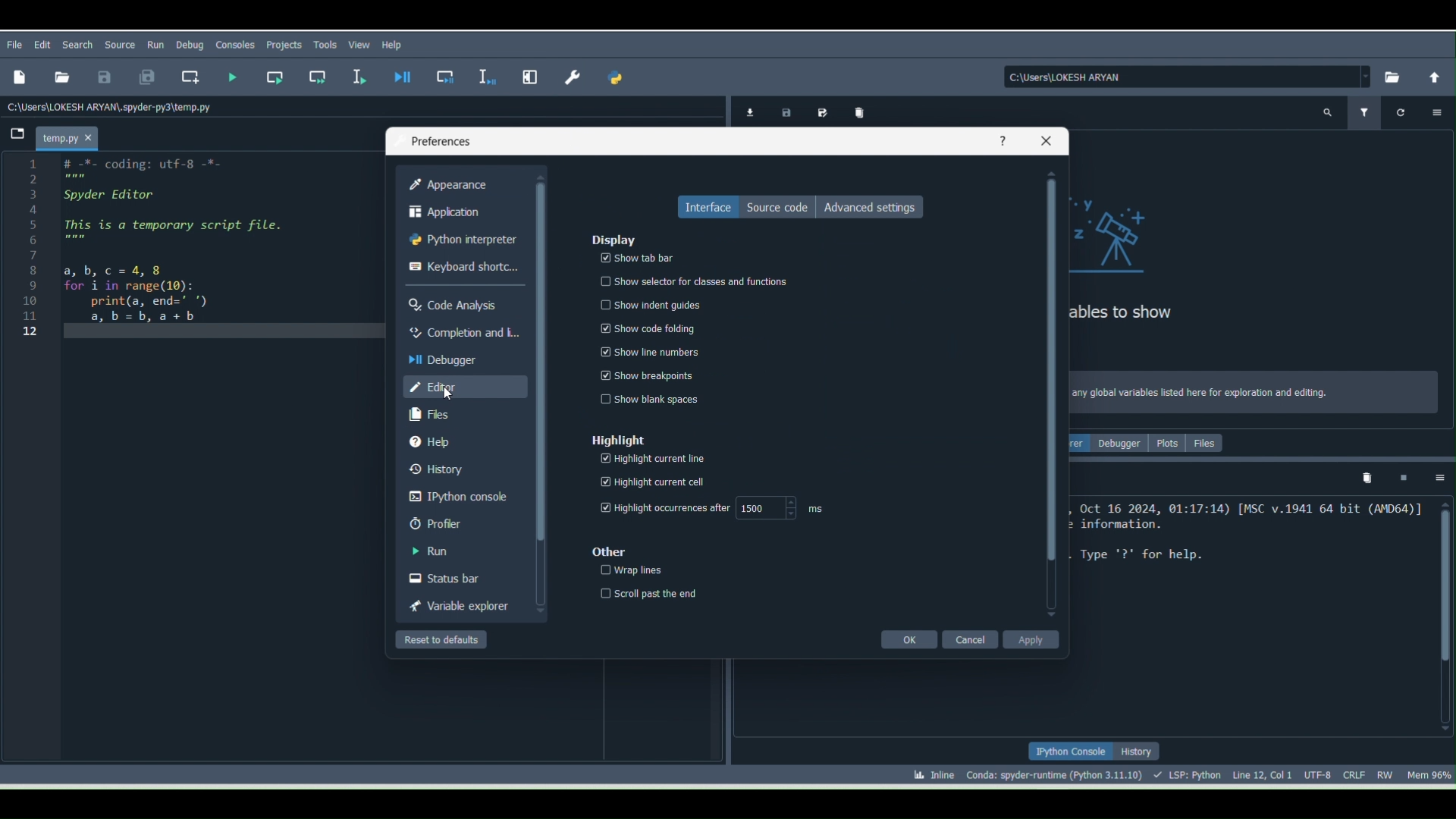 The width and height of the screenshot is (1456, 819). What do you see at coordinates (649, 324) in the screenshot?
I see `Show code folding` at bounding box center [649, 324].